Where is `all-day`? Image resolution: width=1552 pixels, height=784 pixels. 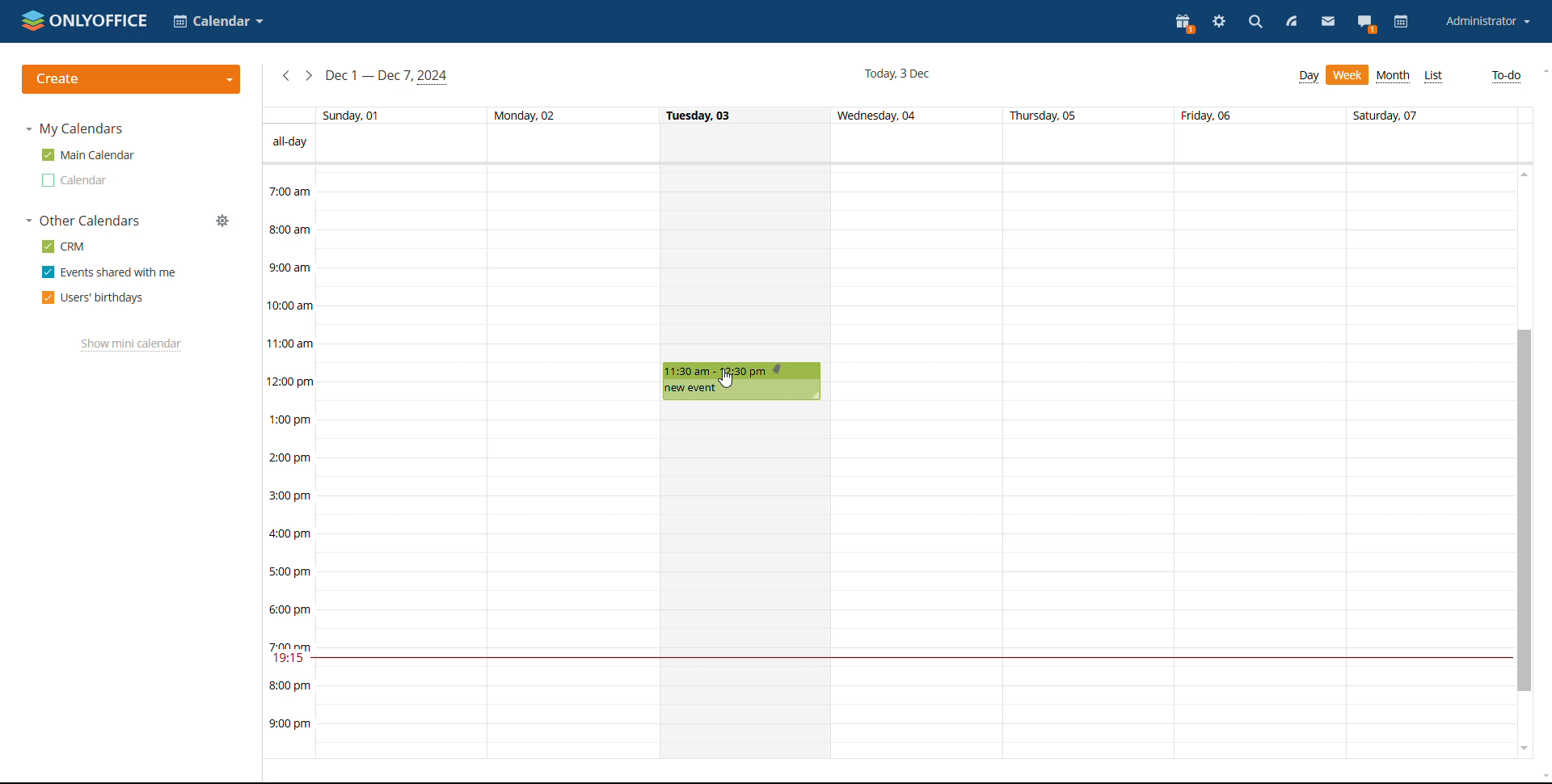 all-day is located at coordinates (290, 141).